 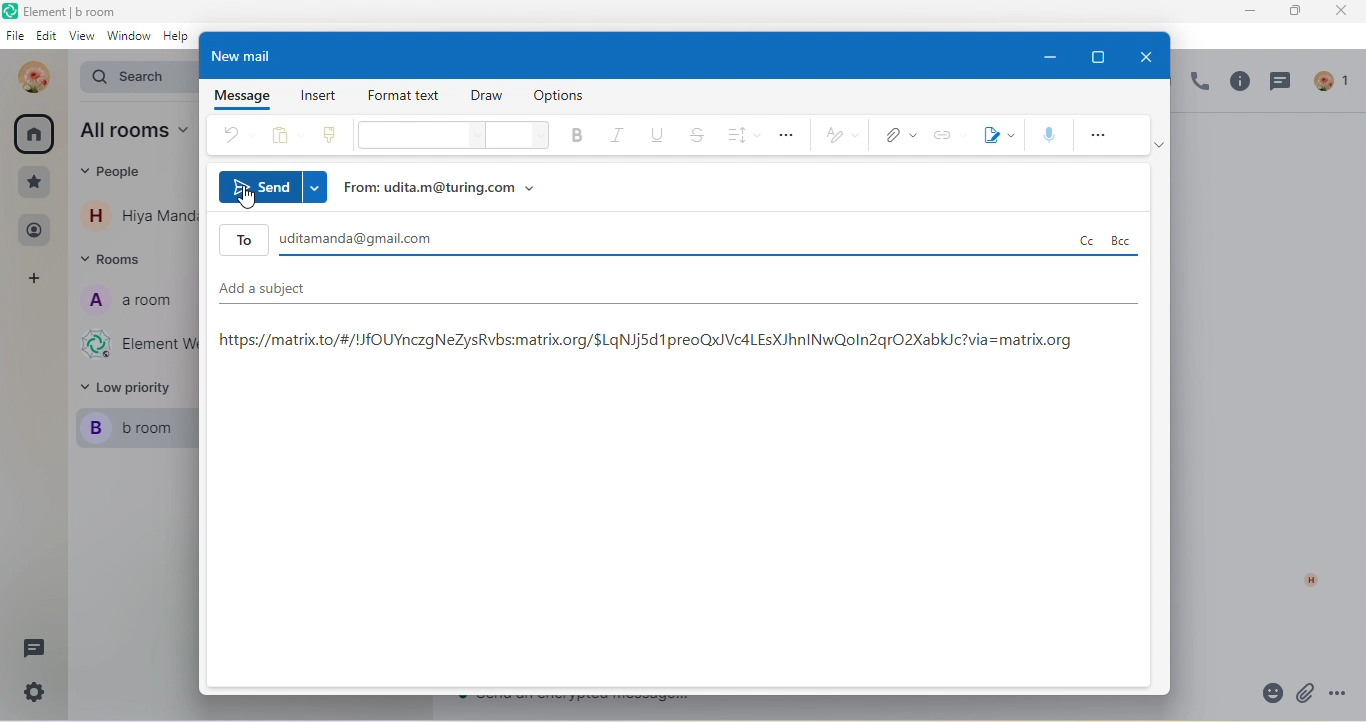 What do you see at coordinates (1306, 694) in the screenshot?
I see `attachment` at bounding box center [1306, 694].